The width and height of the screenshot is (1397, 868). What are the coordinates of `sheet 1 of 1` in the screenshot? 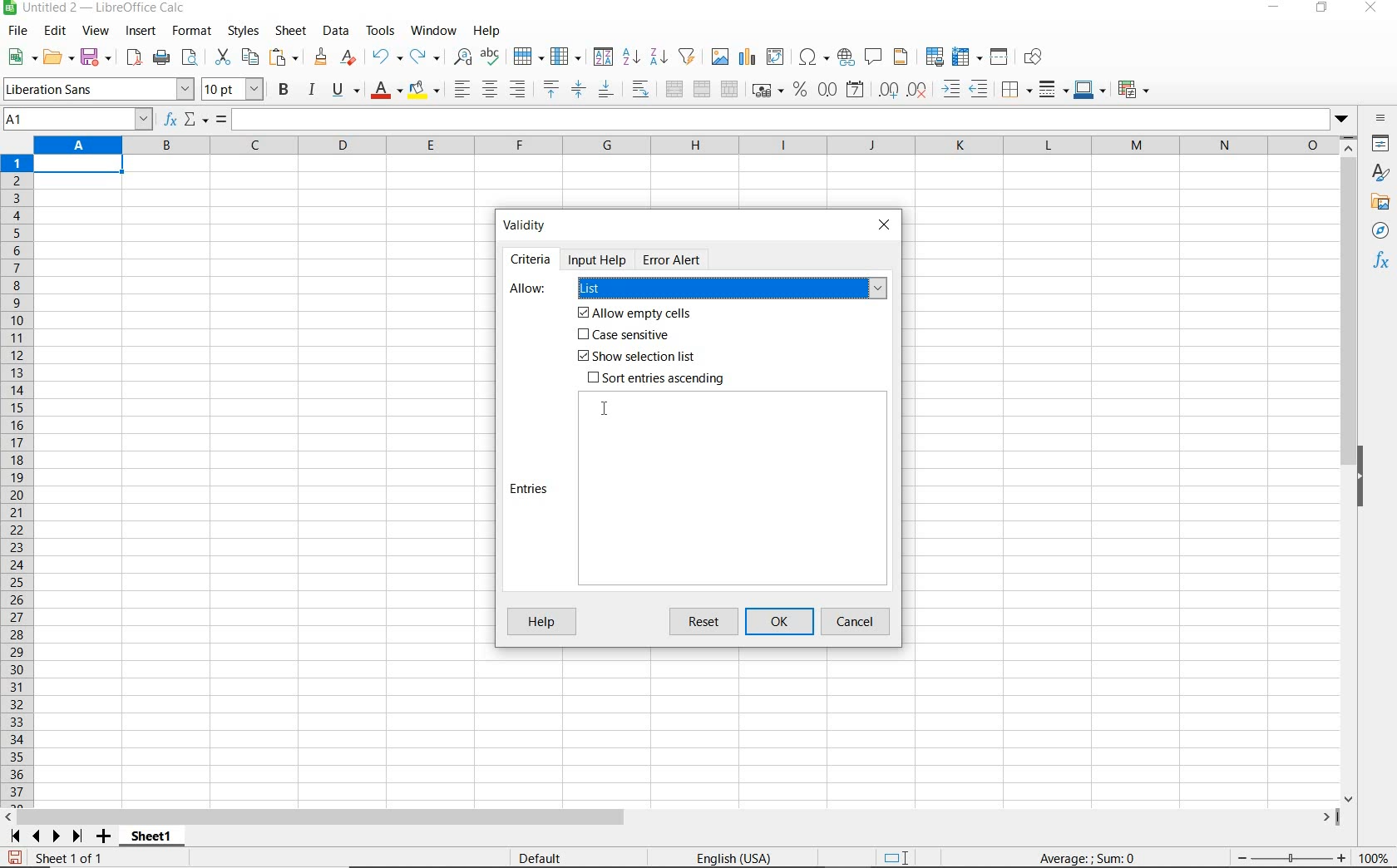 It's located at (75, 859).